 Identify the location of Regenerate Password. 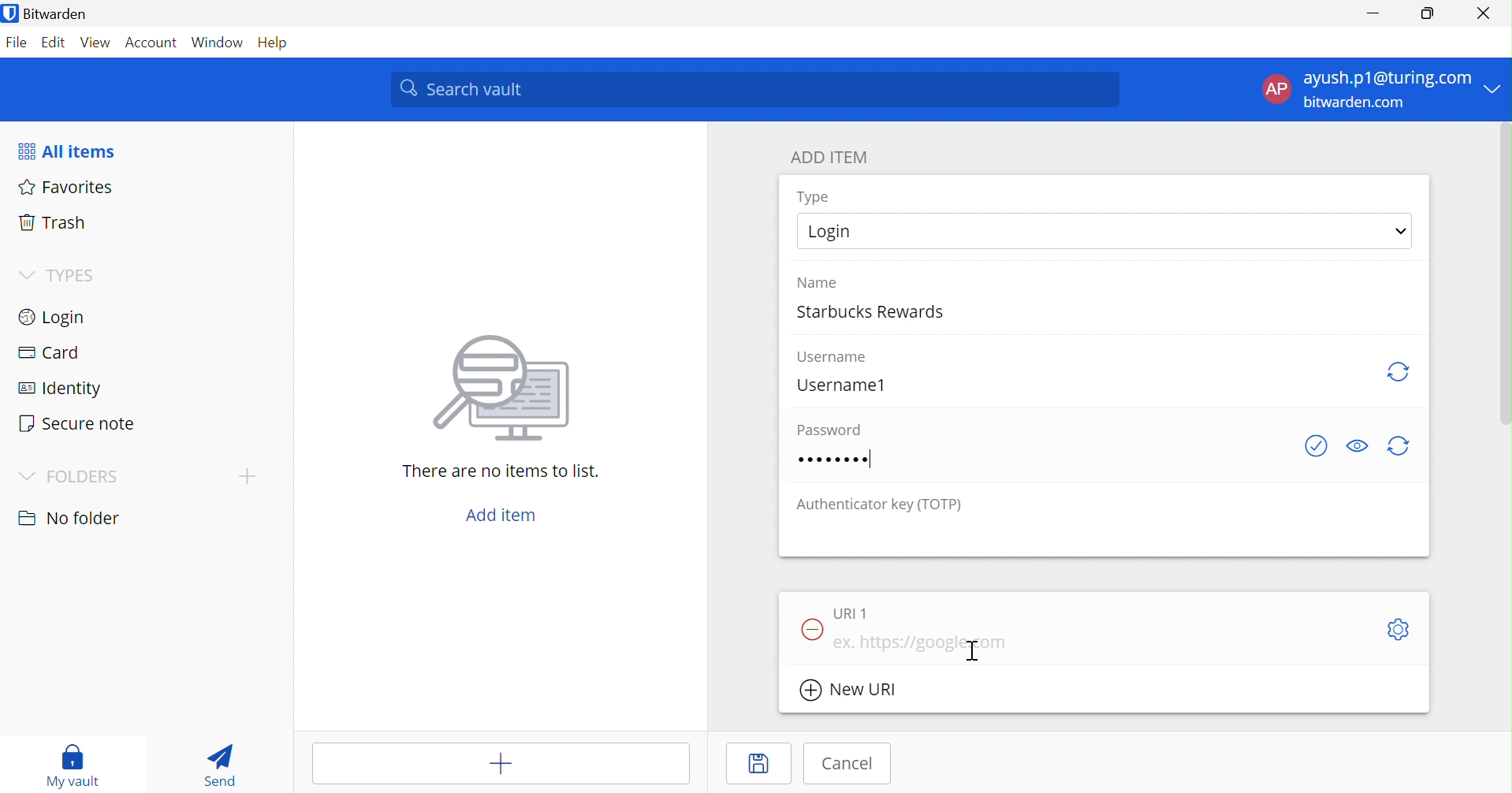
(1399, 446).